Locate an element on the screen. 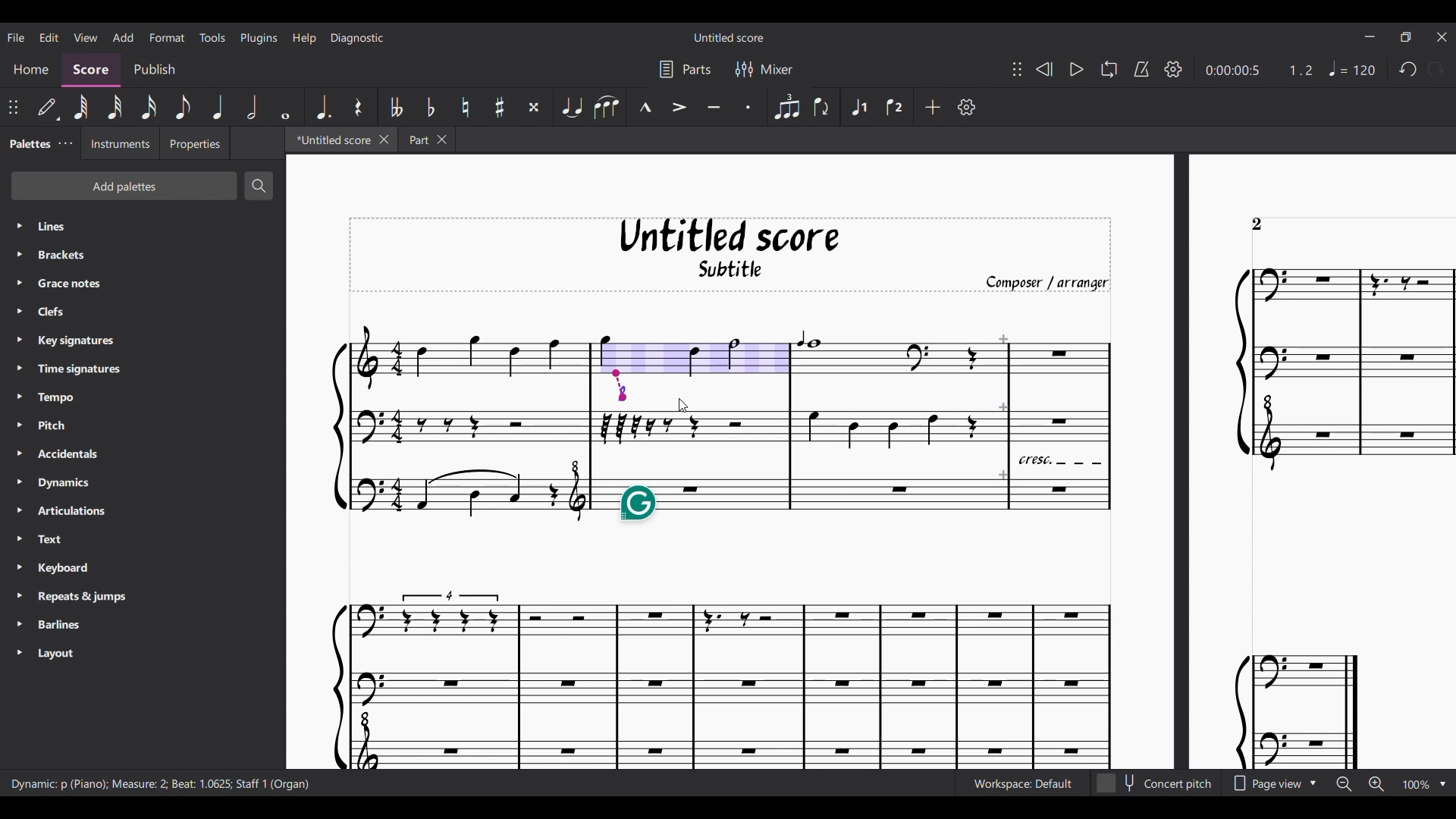 The width and height of the screenshot is (1456, 819). Score title is located at coordinates (729, 37).